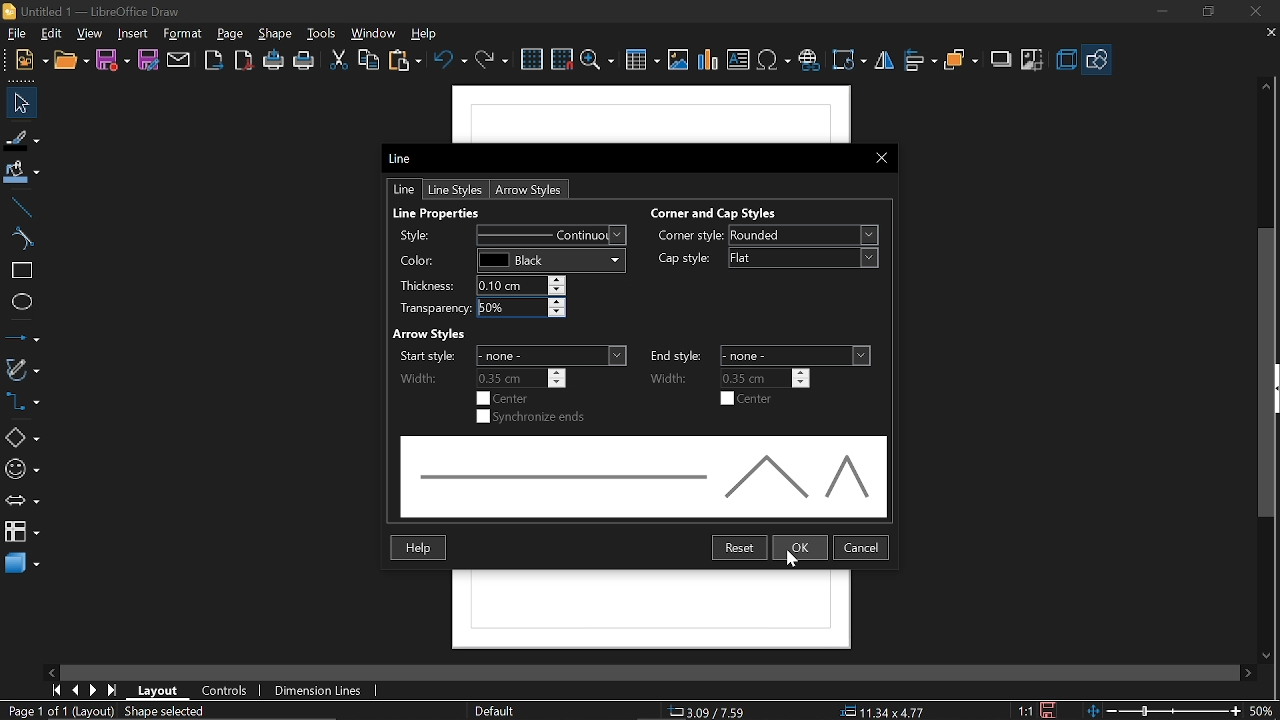 The width and height of the screenshot is (1280, 720). I want to click on save, so click(1054, 710).